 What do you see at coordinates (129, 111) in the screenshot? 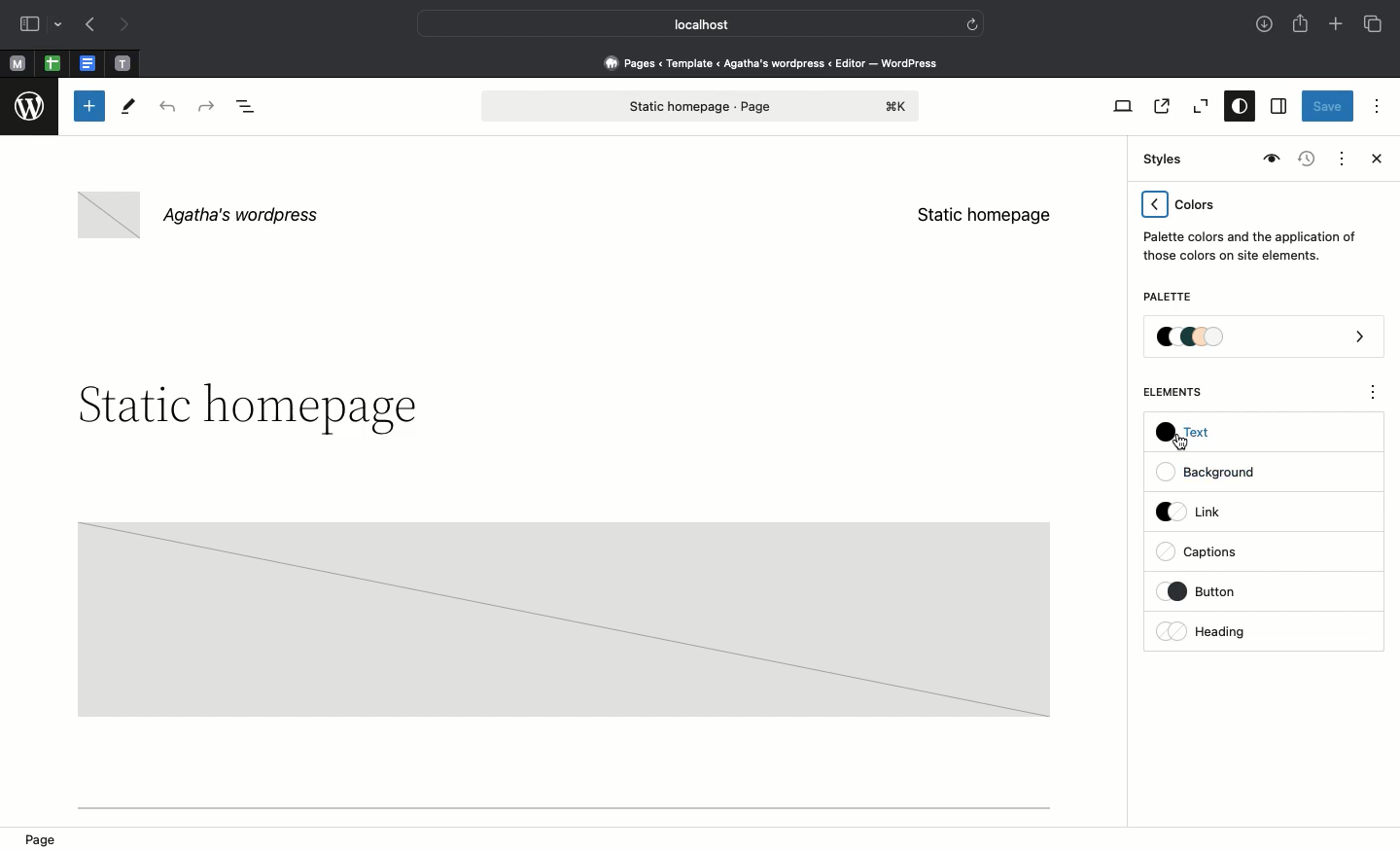
I see `Tools` at bounding box center [129, 111].